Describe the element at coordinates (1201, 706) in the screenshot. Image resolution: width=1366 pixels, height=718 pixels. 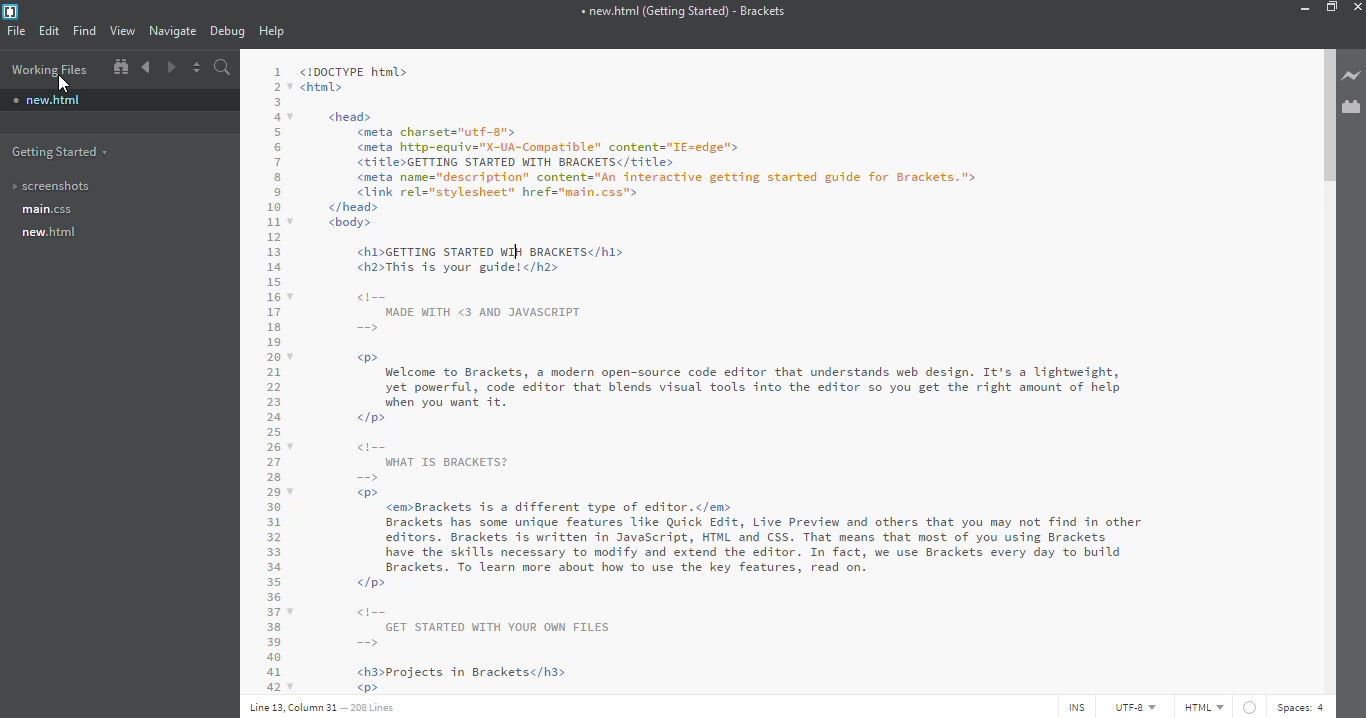
I see `html` at that location.